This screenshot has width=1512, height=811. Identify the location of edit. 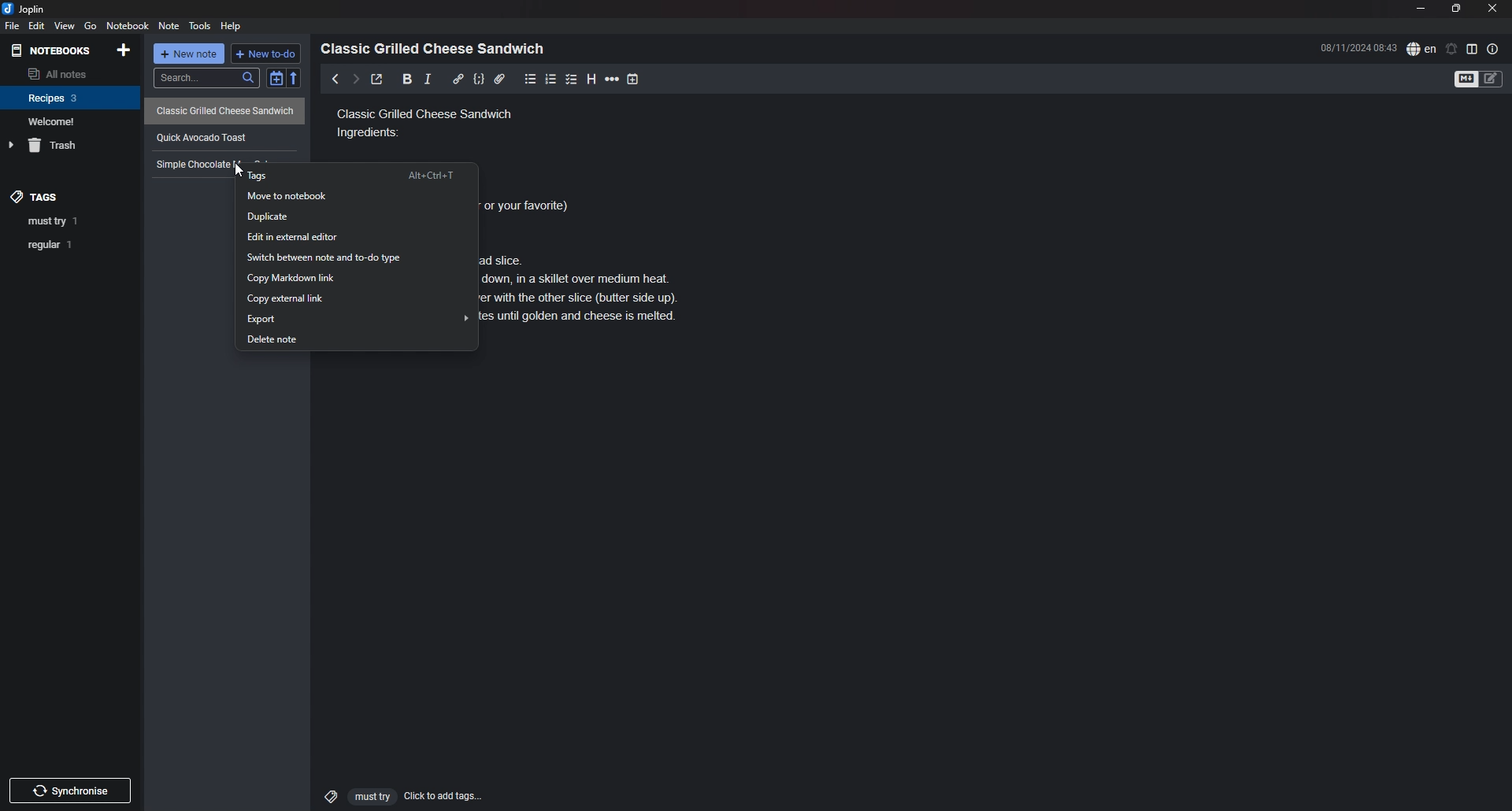
(35, 26).